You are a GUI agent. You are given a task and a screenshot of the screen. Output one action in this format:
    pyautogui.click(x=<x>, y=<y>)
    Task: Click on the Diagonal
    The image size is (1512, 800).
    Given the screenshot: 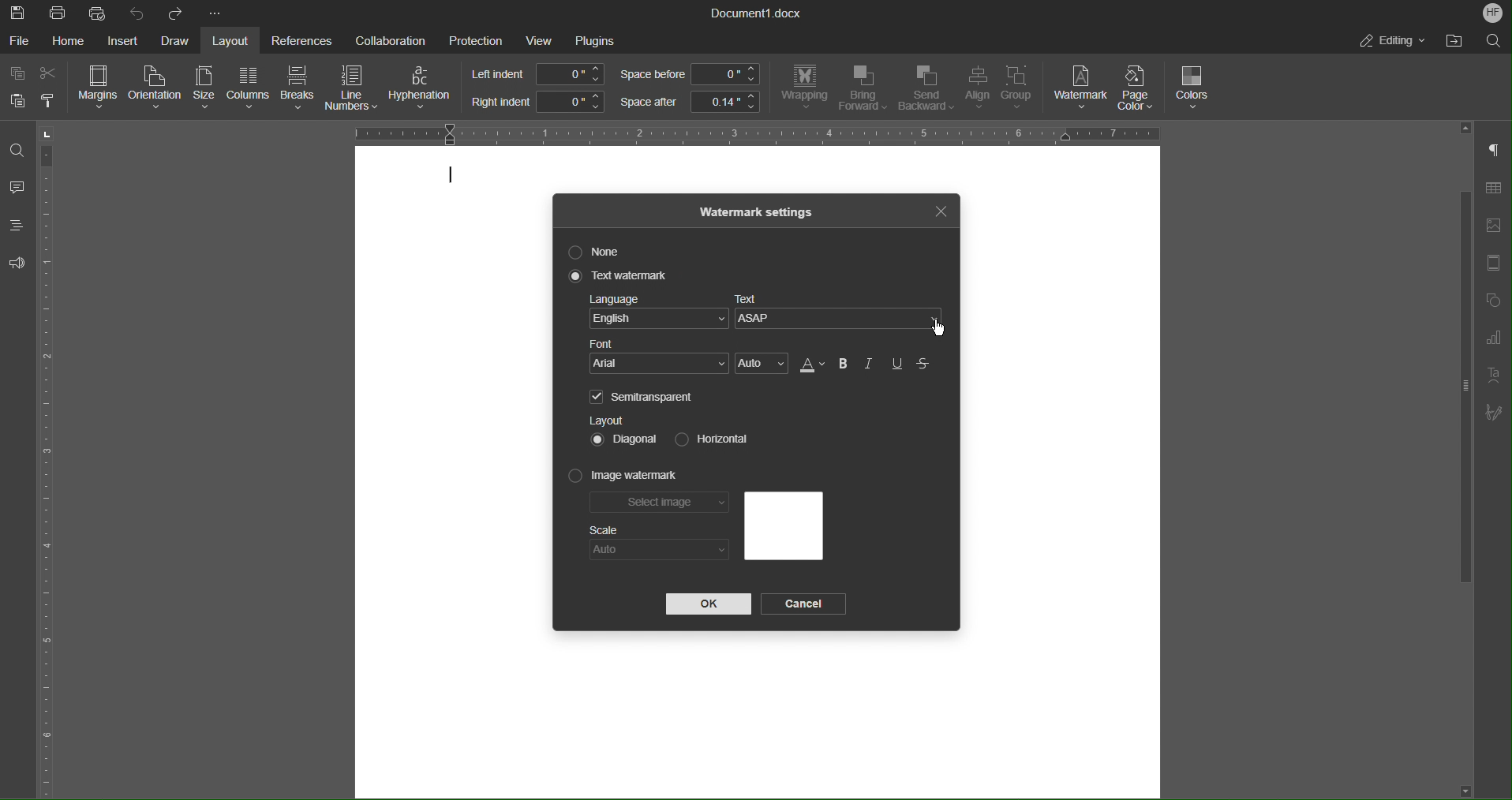 What is the action you would take?
    pyautogui.click(x=625, y=438)
    